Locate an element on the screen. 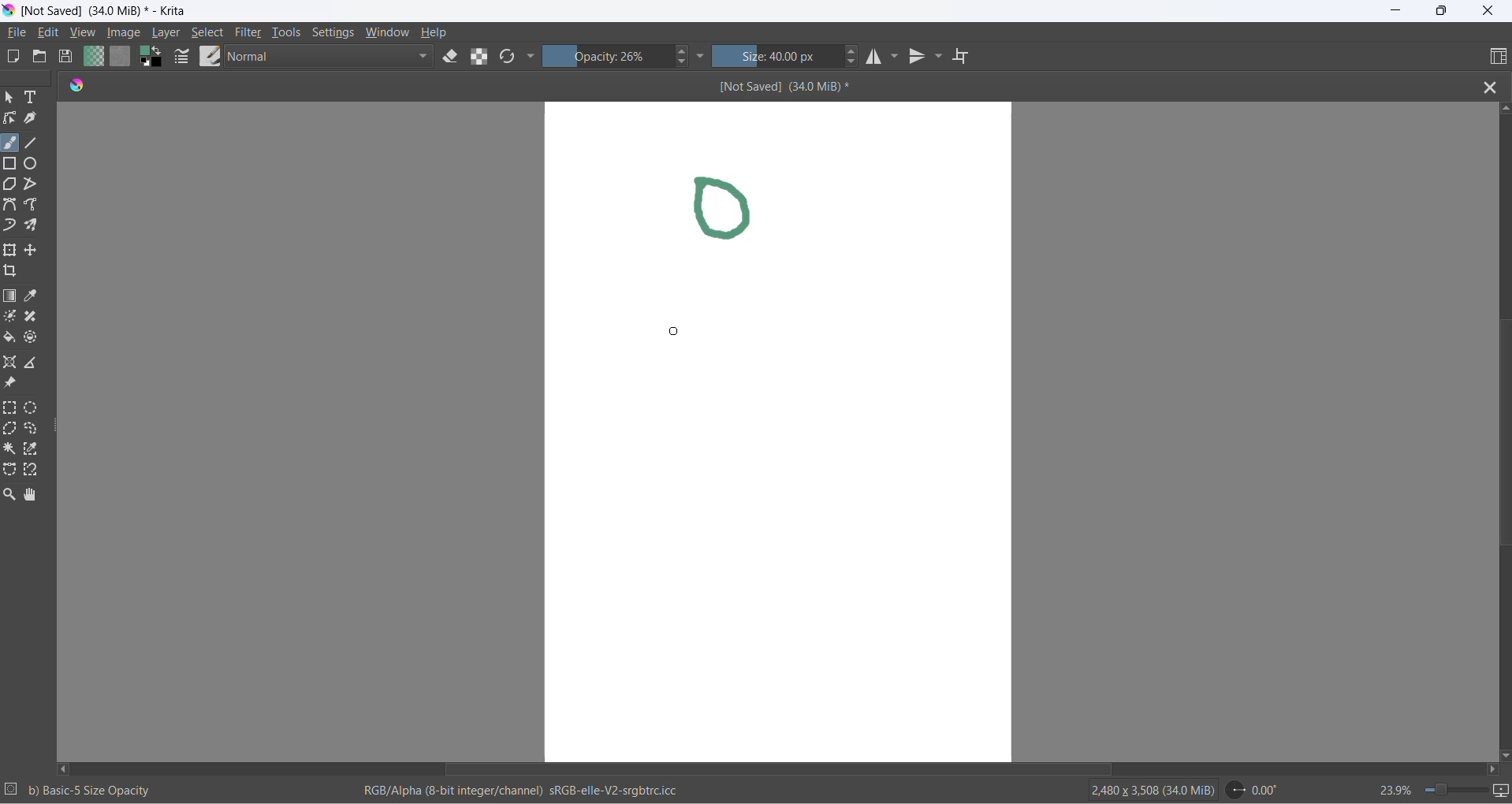  filters is located at coordinates (251, 34).